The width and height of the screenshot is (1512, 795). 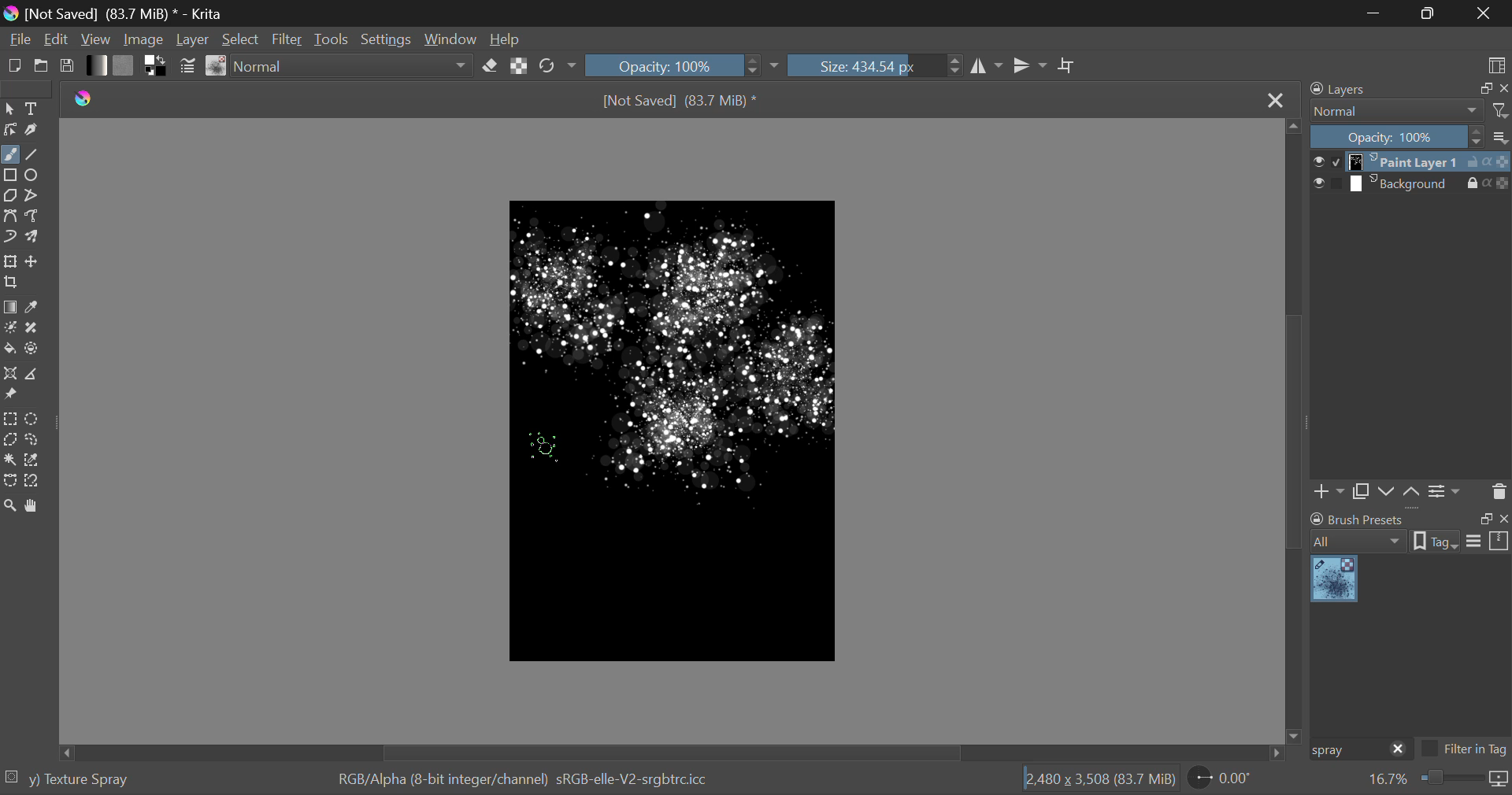 What do you see at coordinates (32, 350) in the screenshot?
I see `Enclose and Fill` at bounding box center [32, 350].